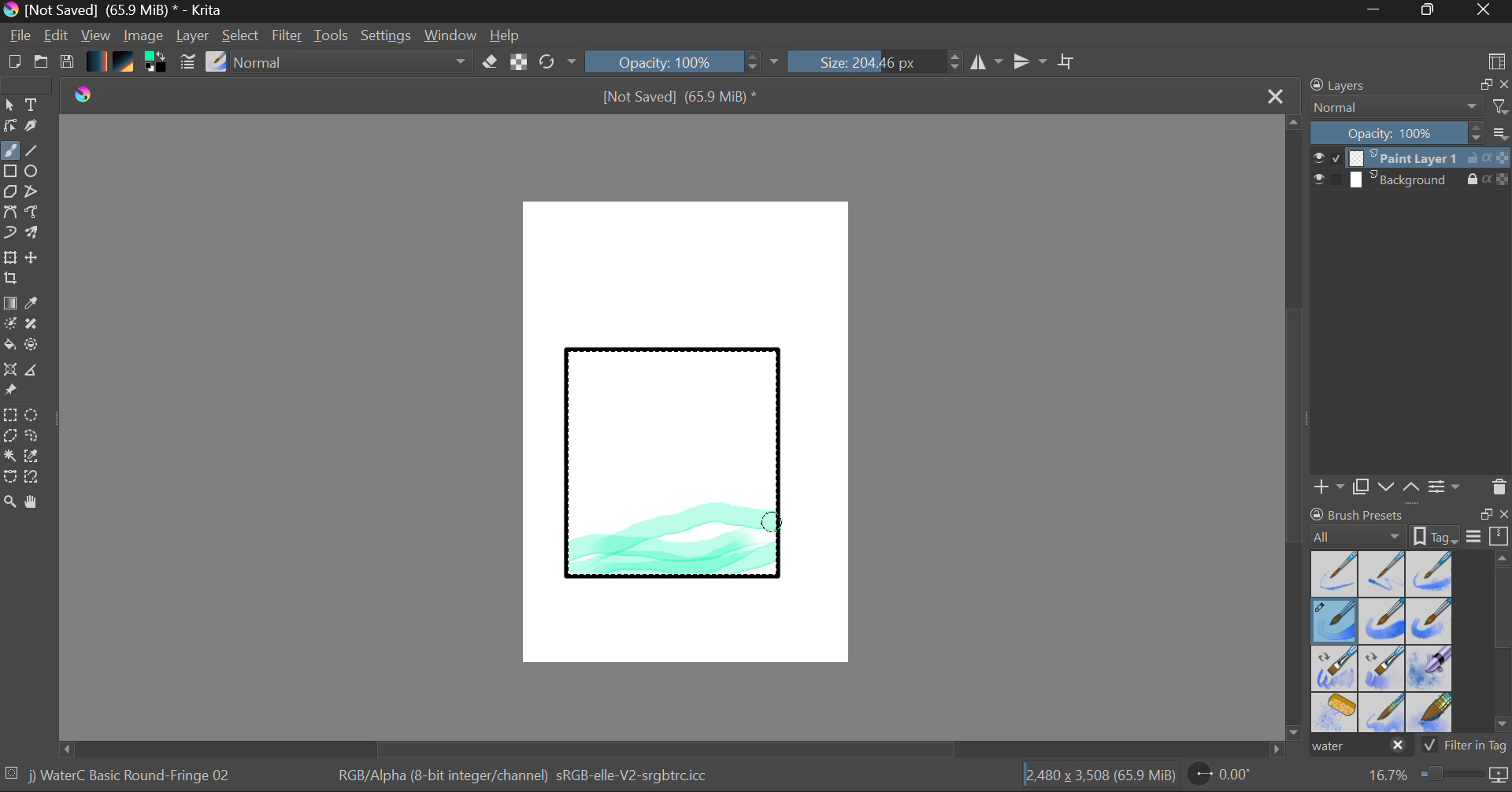  What do you see at coordinates (1430, 670) in the screenshot?
I see `Water C - Special Blobs` at bounding box center [1430, 670].